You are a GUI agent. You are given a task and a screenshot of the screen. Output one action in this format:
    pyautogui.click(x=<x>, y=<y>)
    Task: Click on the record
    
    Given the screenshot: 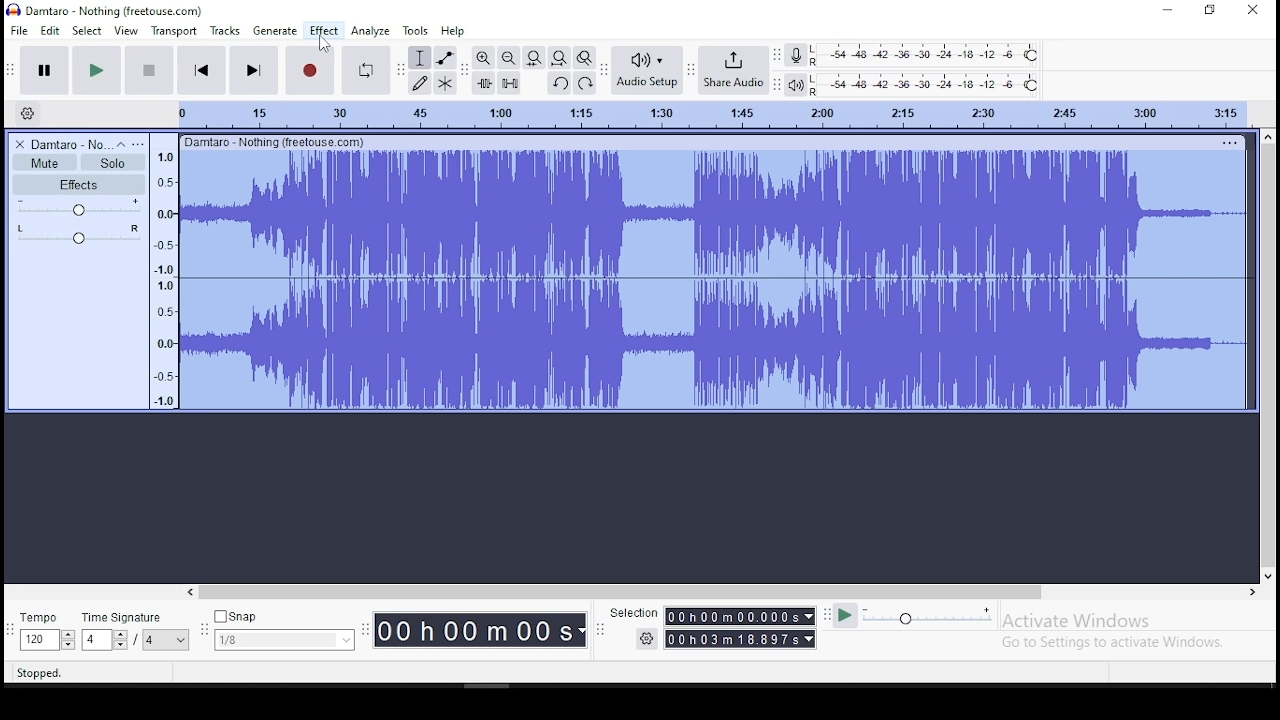 What is the action you would take?
    pyautogui.click(x=311, y=71)
    